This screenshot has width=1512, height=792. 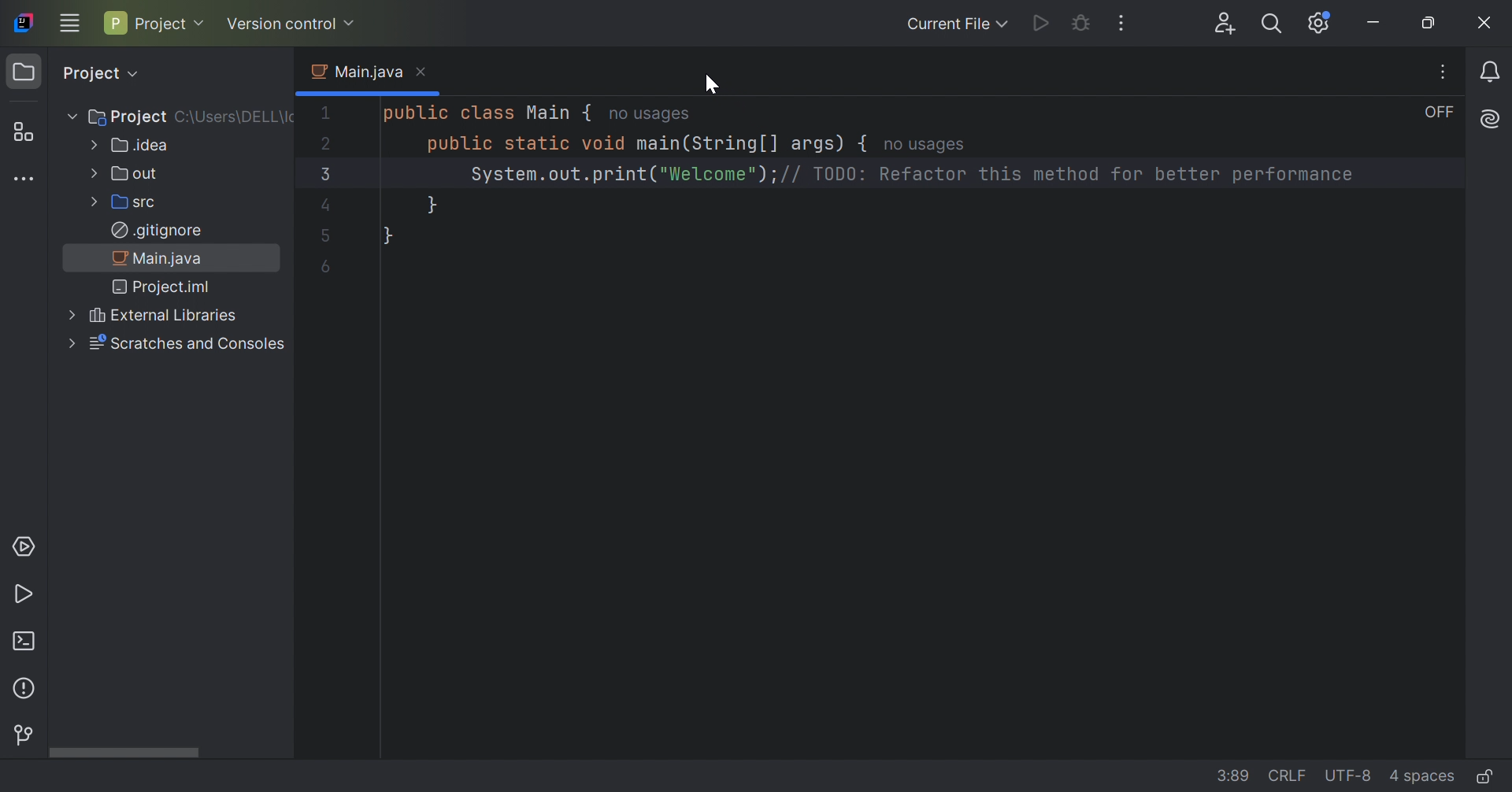 What do you see at coordinates (122, 204) in the screenshot?
I see `Src` at bounding box center [122, 204].